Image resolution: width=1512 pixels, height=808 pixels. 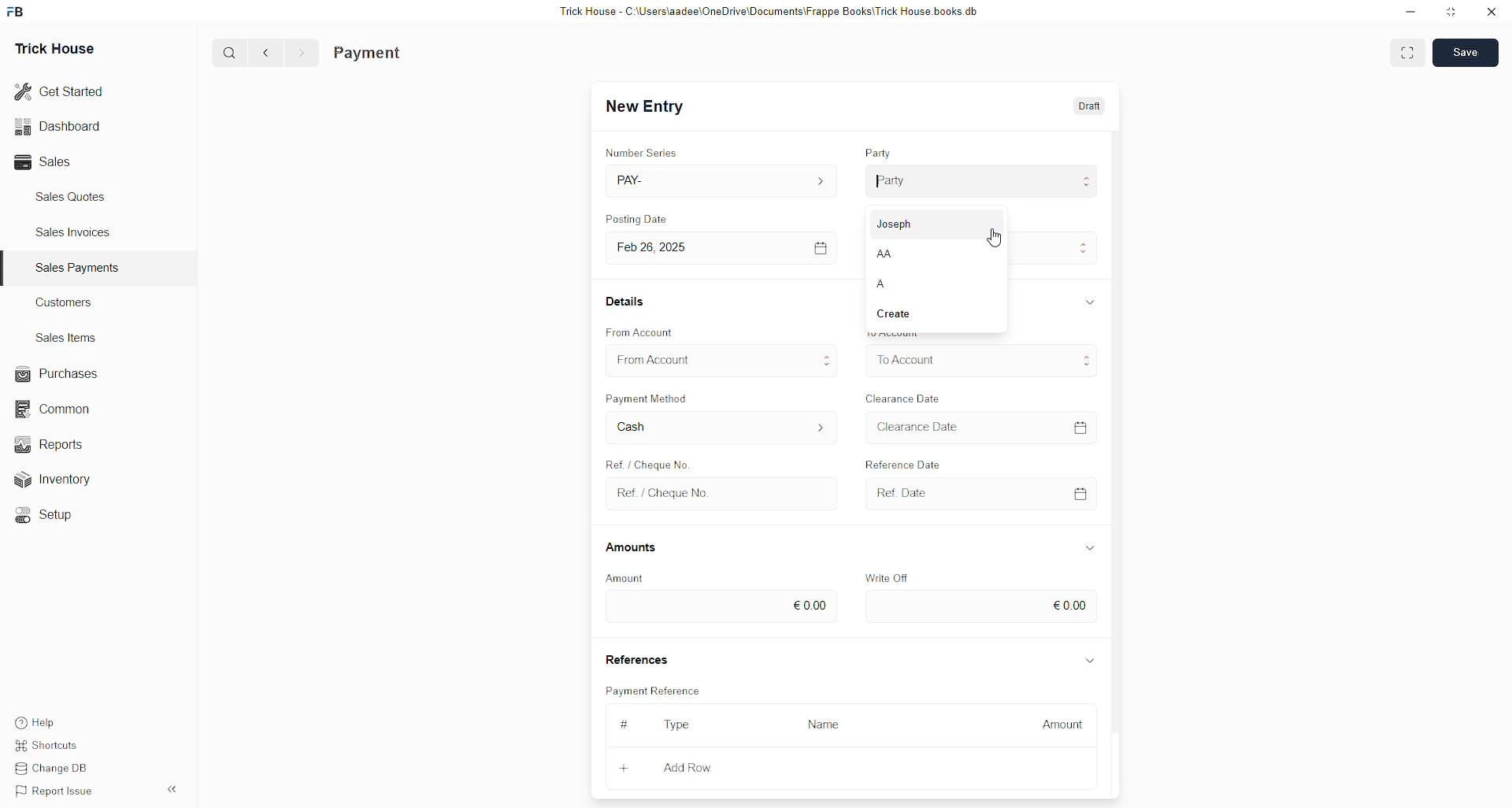 I want to click on AA, so click(x=935, y=254).